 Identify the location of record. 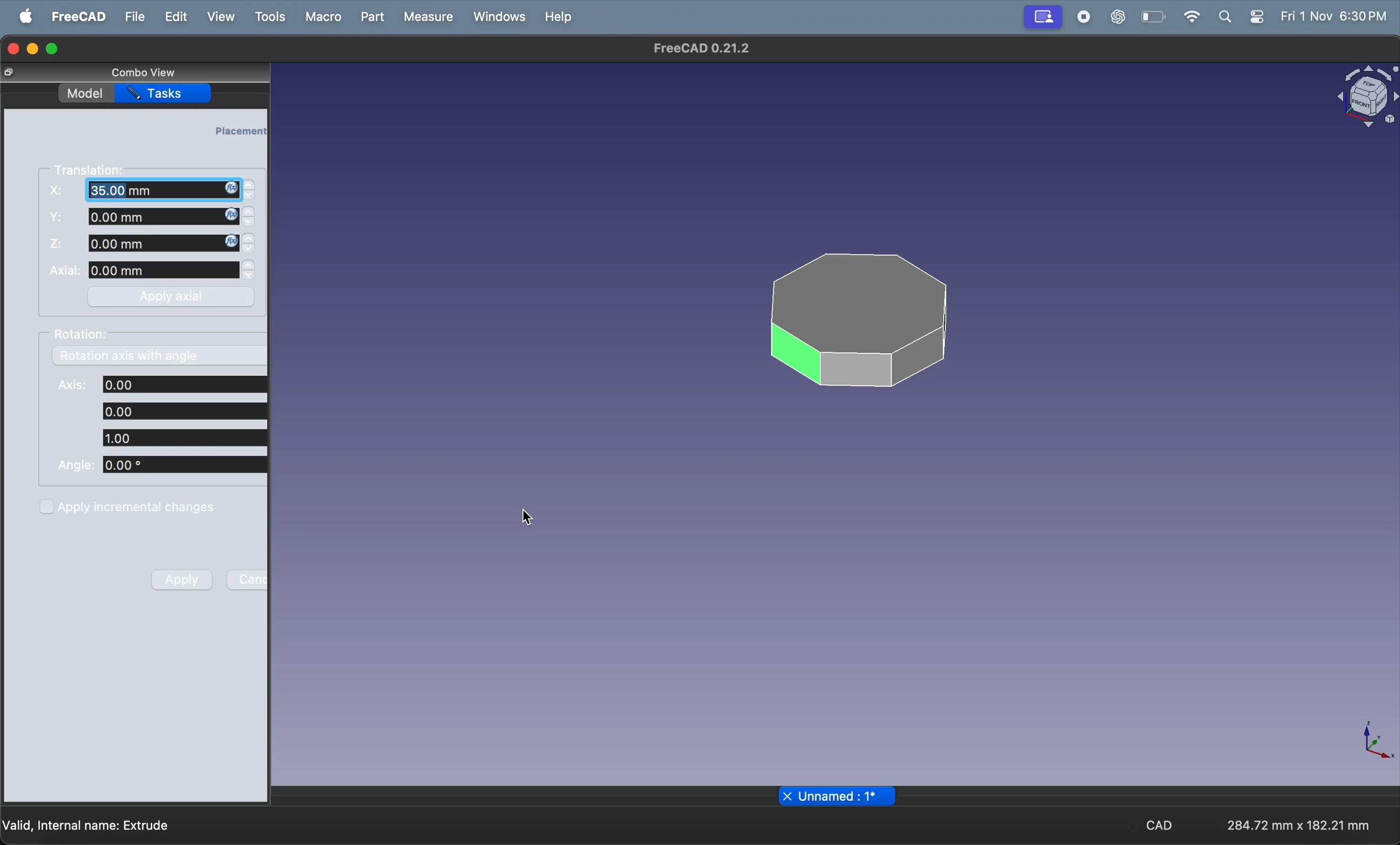
(1079, 17).